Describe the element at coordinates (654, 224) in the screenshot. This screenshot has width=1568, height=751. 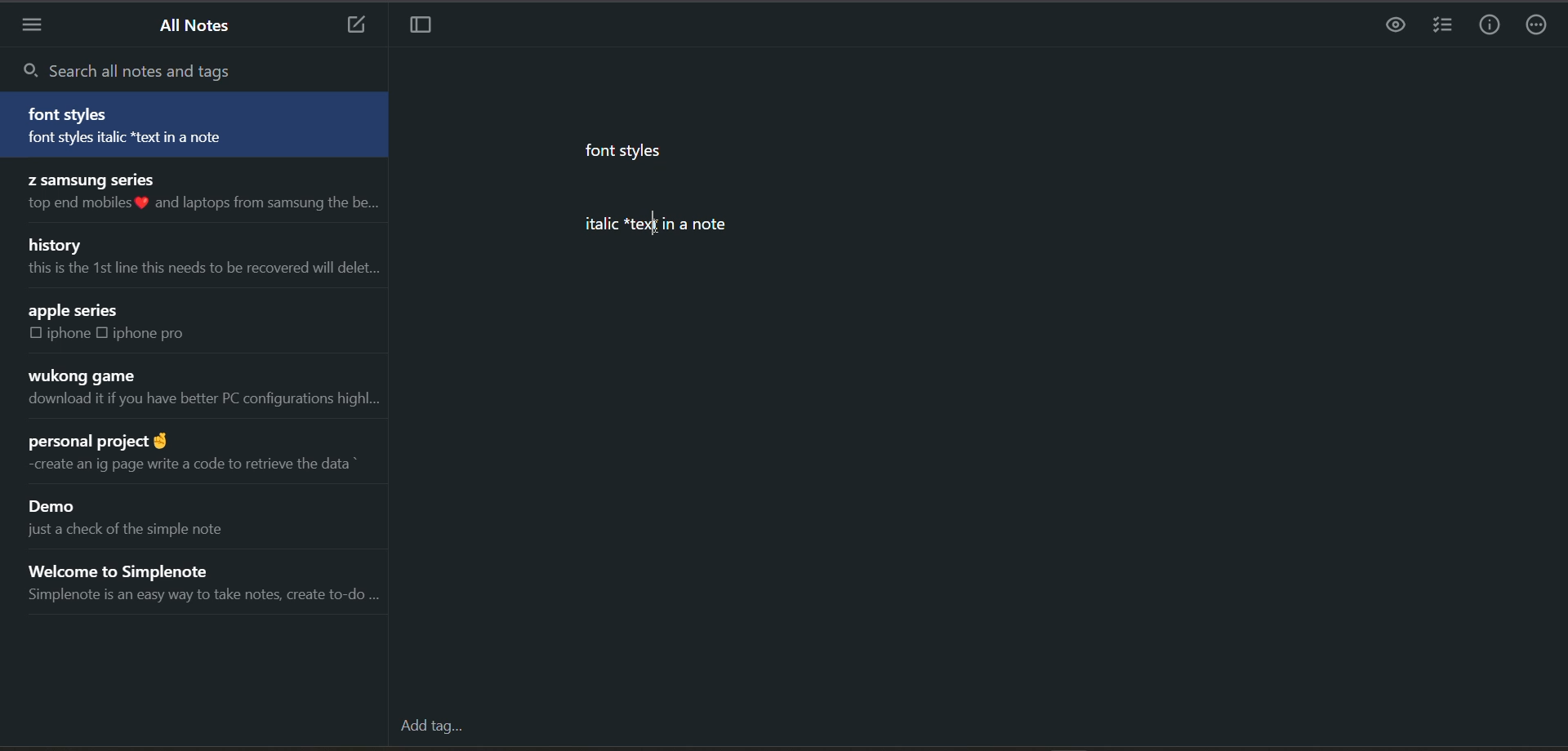
I see `cursor` at that location.